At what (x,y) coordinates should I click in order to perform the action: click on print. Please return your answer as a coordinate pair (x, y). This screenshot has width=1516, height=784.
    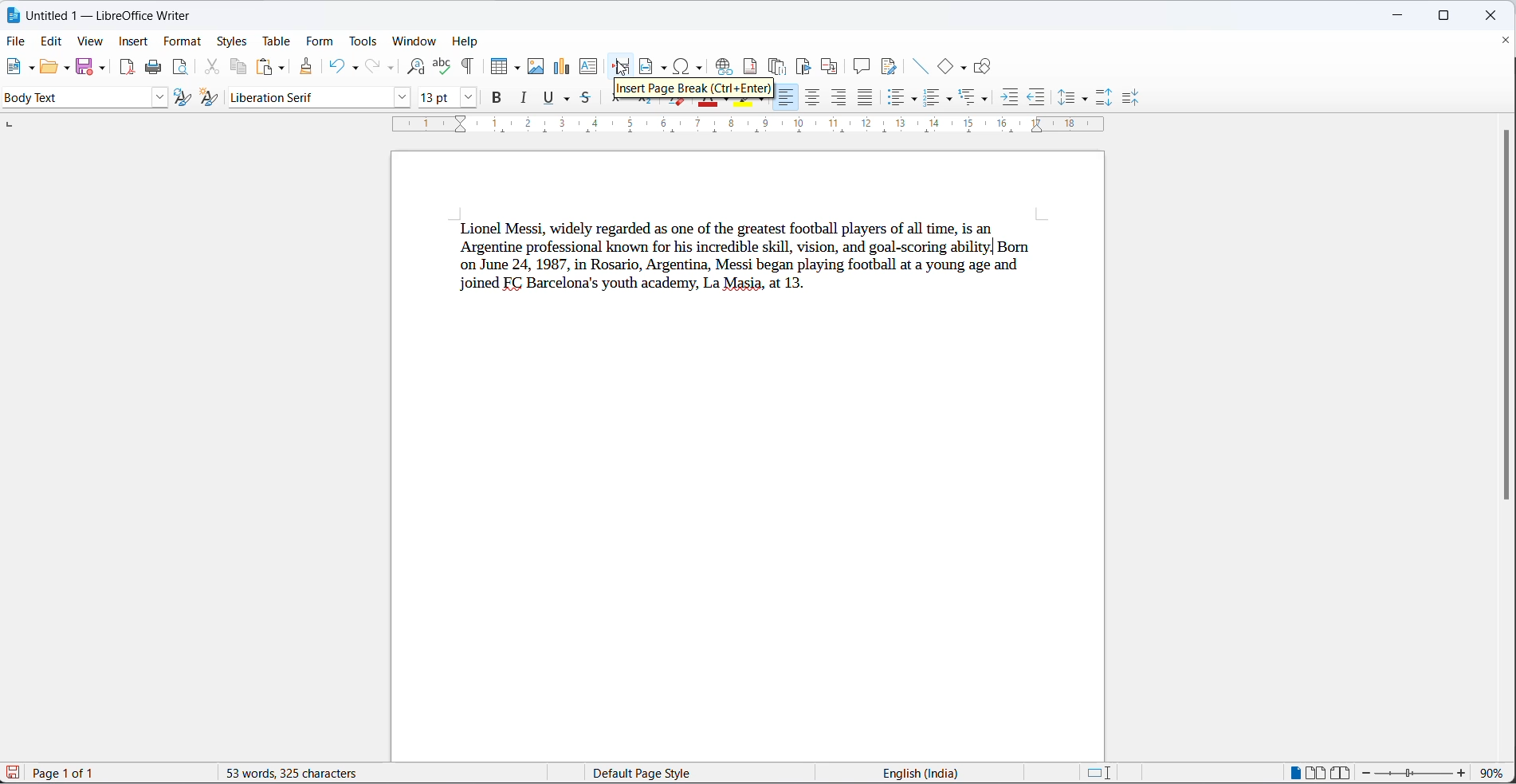
    Looking at the image, I should click on (153, 67).